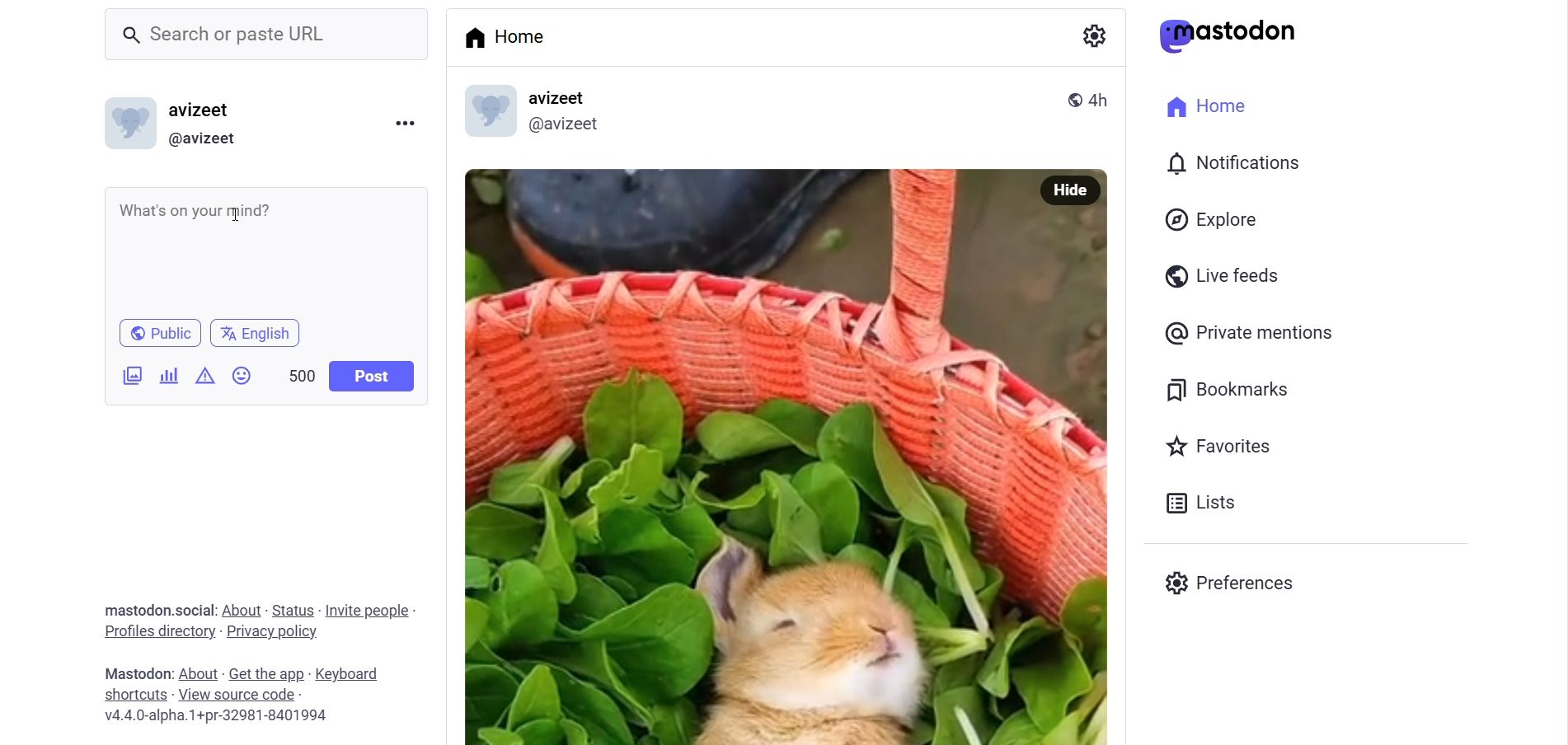 The width and height of the screenshot is (1568, 745). What do you see at coordinates (1100, 100) in the screenshot?
I see `4h` at bounding box center [1100, 100].